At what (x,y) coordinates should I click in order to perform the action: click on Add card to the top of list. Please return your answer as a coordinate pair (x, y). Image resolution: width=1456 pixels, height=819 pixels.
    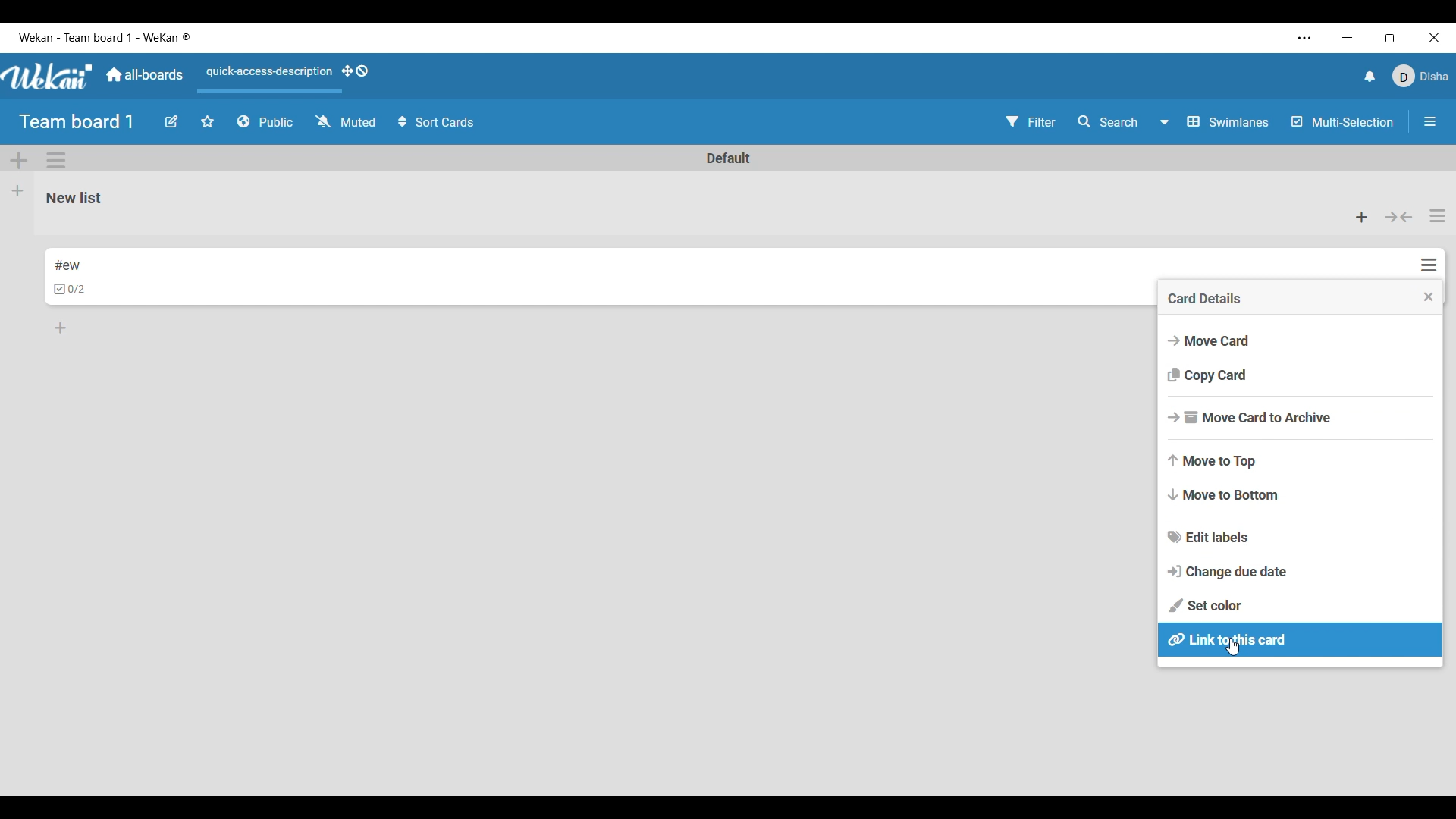
    Looking at the image, I should click on (1362, 217).